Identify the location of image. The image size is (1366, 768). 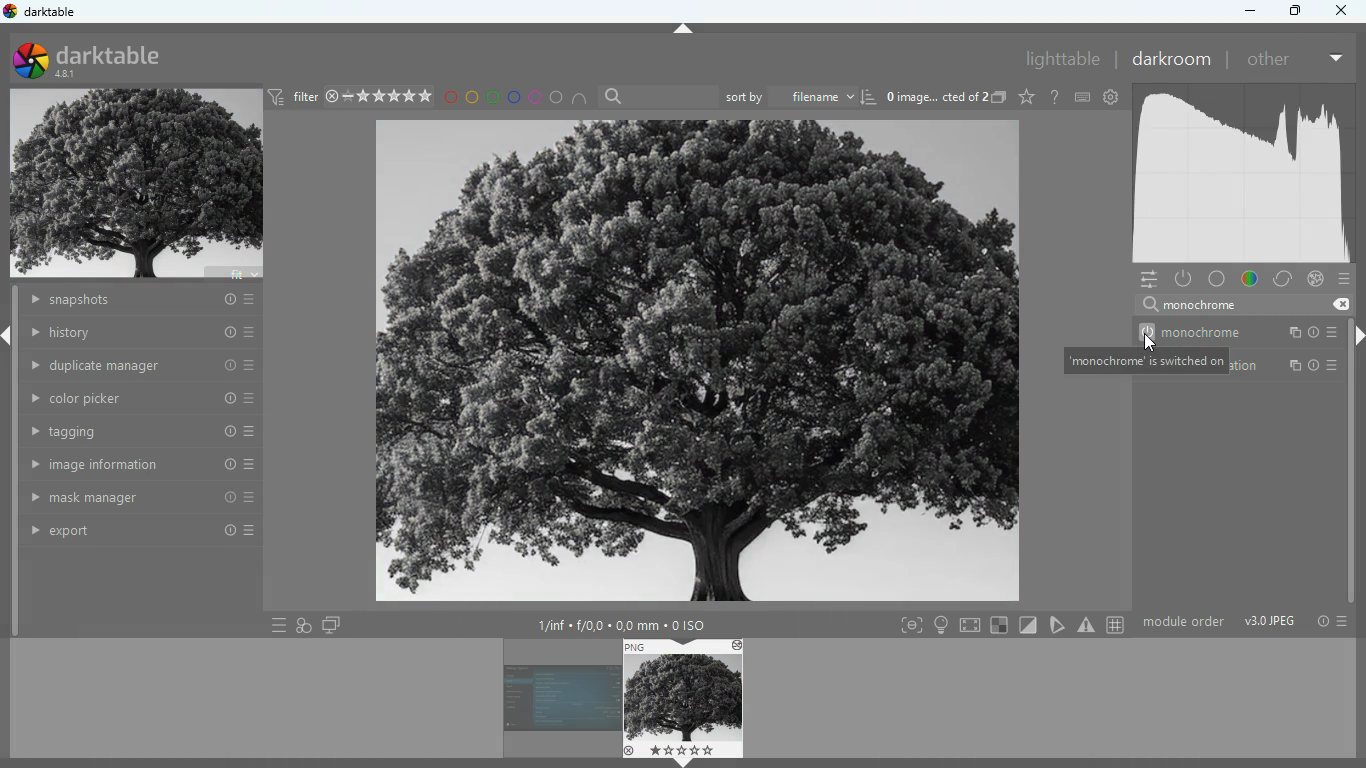
(140, 183).